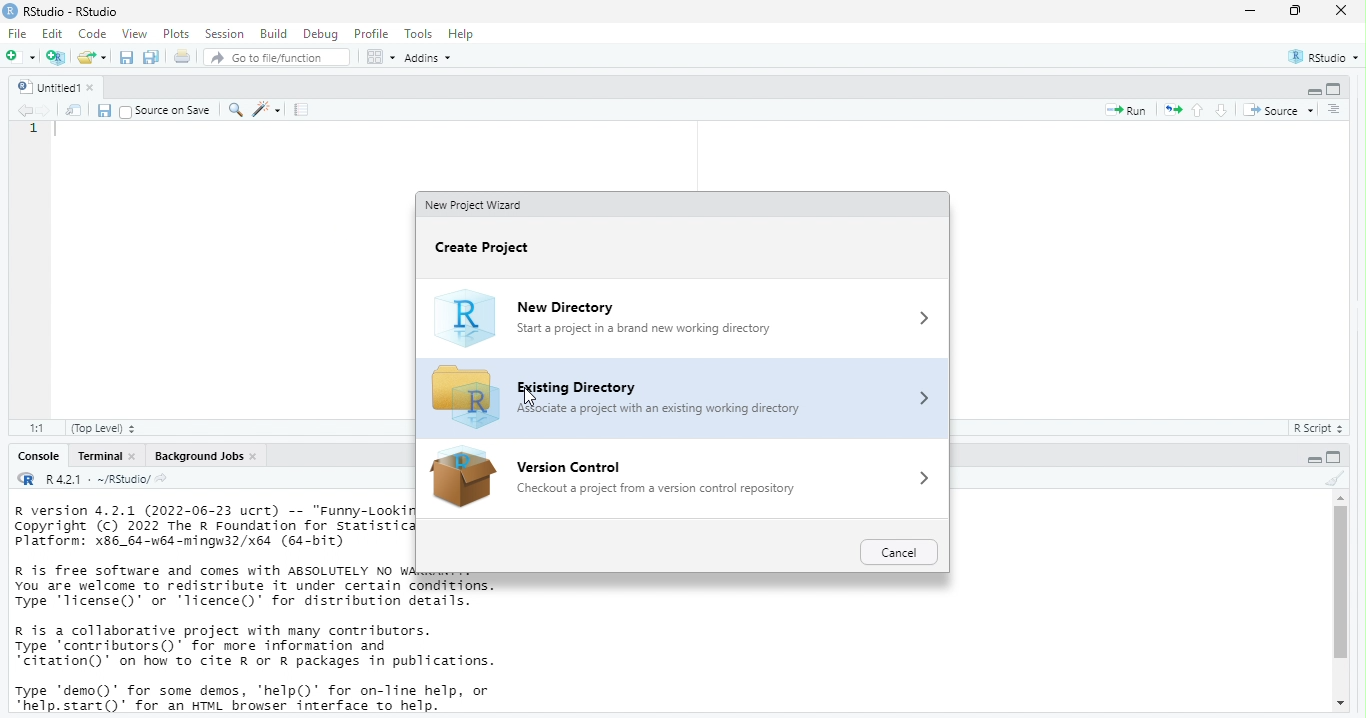  I want to click on Create project, so click(477, 247).